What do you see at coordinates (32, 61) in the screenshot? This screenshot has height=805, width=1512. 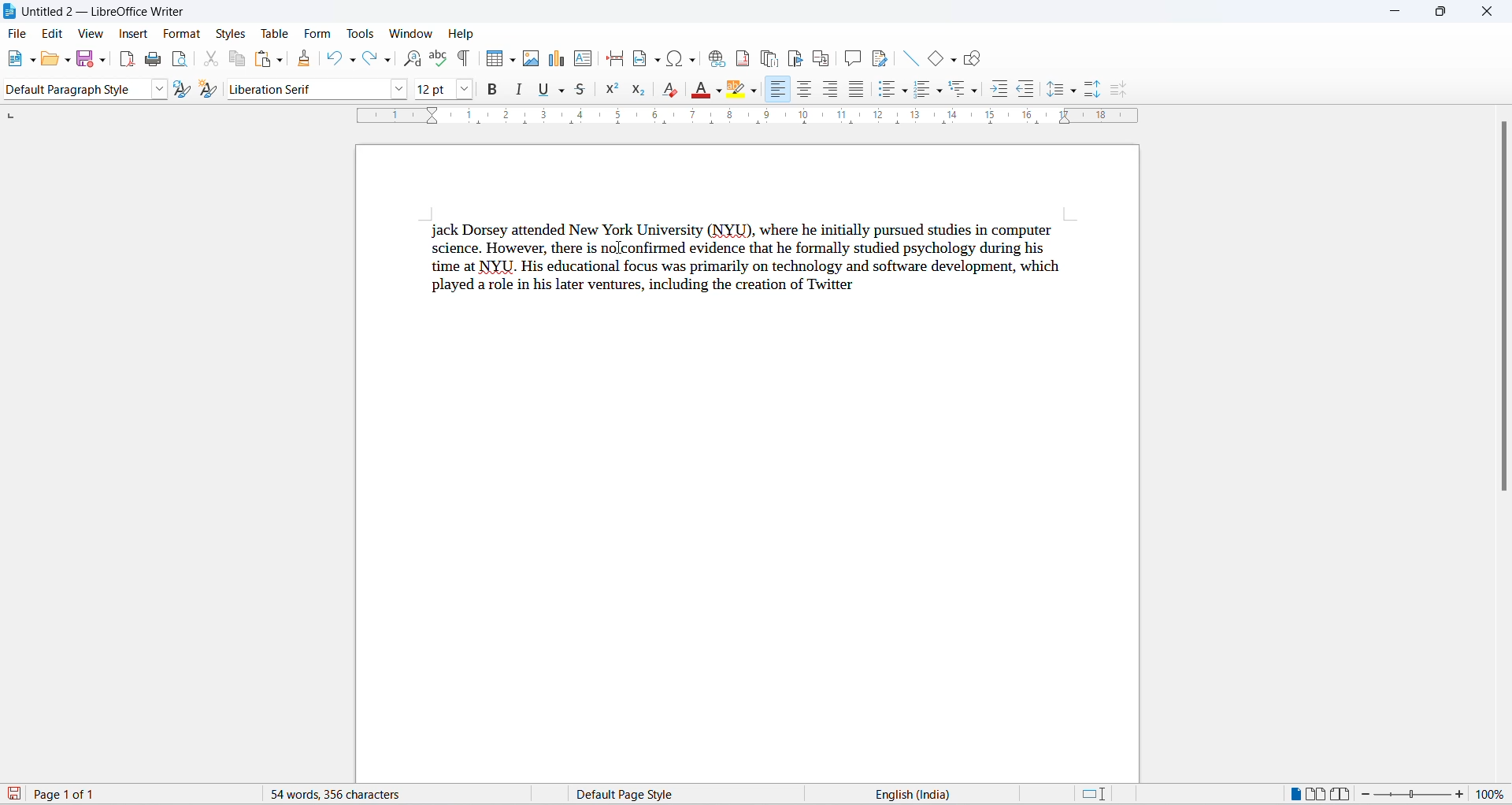 I see `new file options` at bounding box center [32, 61].